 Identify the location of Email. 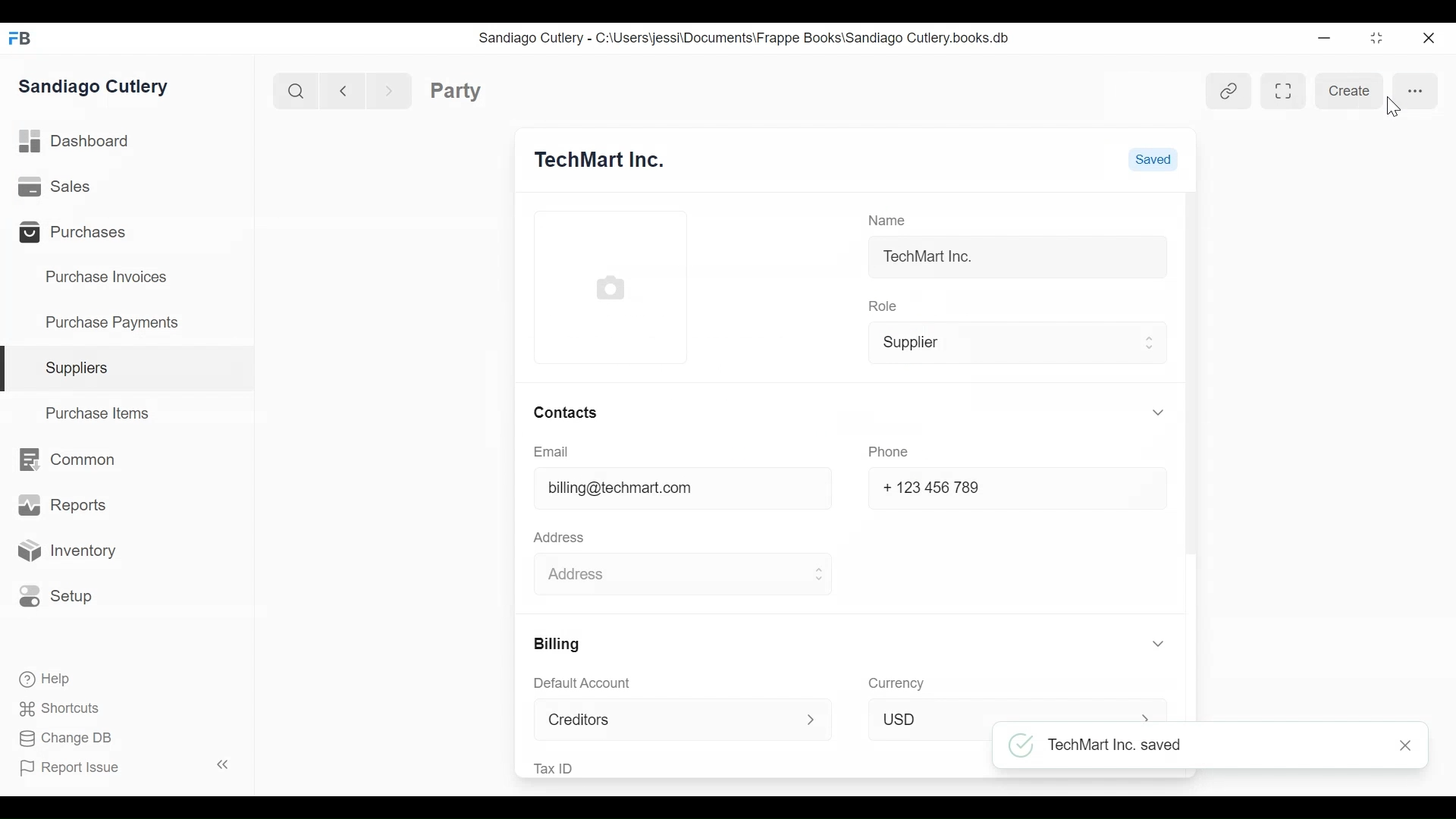
(552, 452).